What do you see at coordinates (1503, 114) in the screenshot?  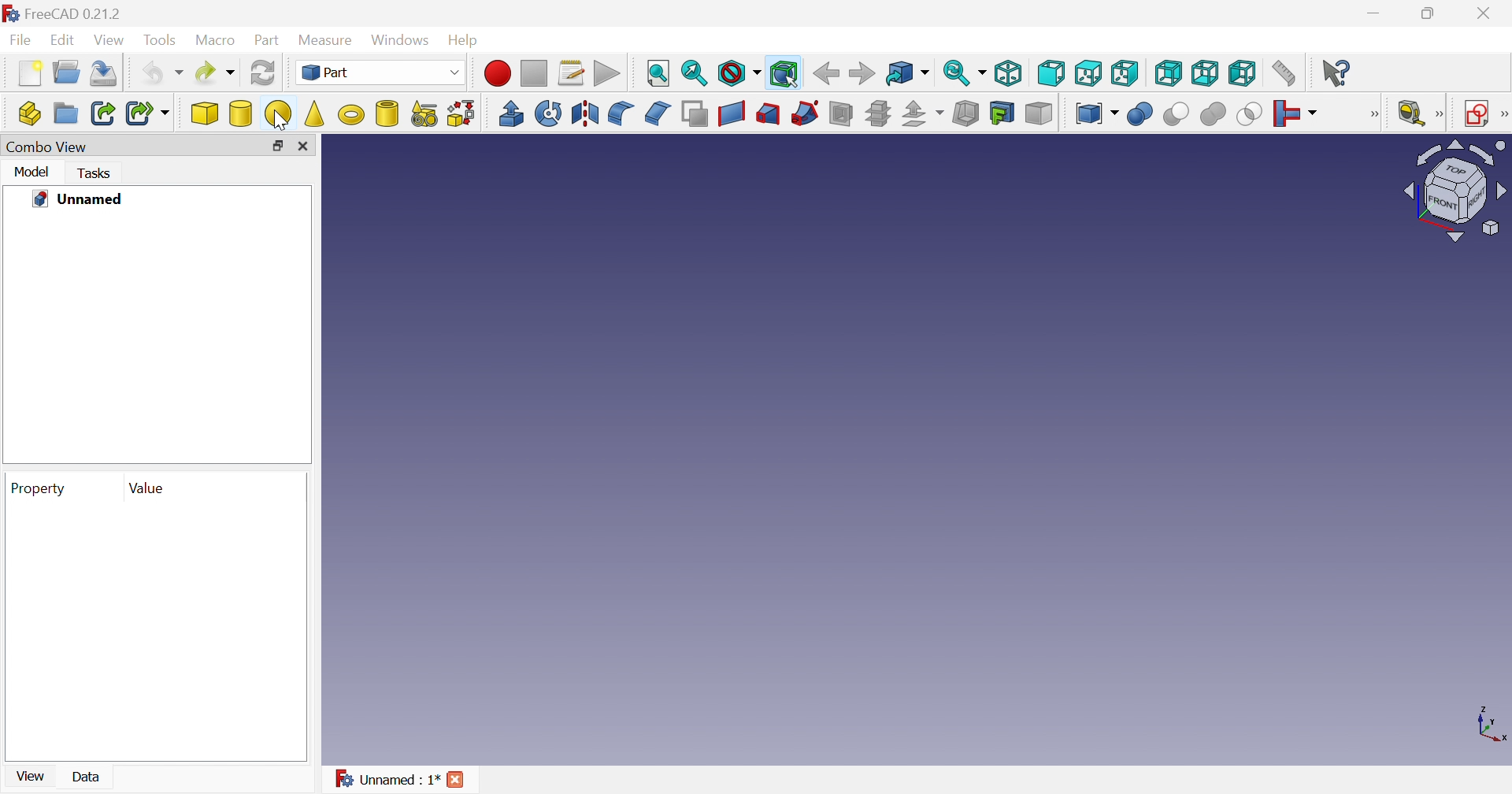 I see `[Sketcher]` at bounding box center [1503, 114].